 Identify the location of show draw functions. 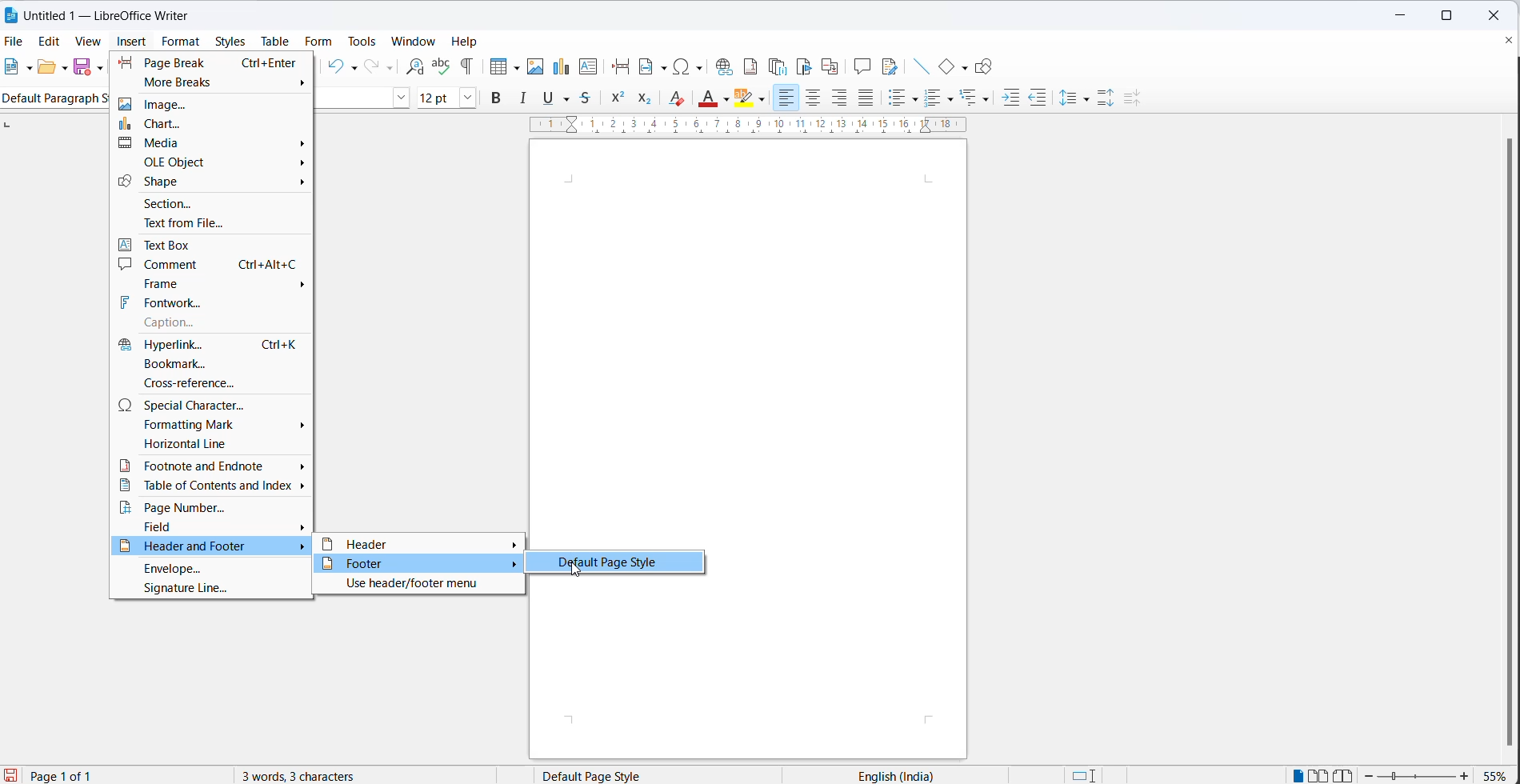
(990, 66).